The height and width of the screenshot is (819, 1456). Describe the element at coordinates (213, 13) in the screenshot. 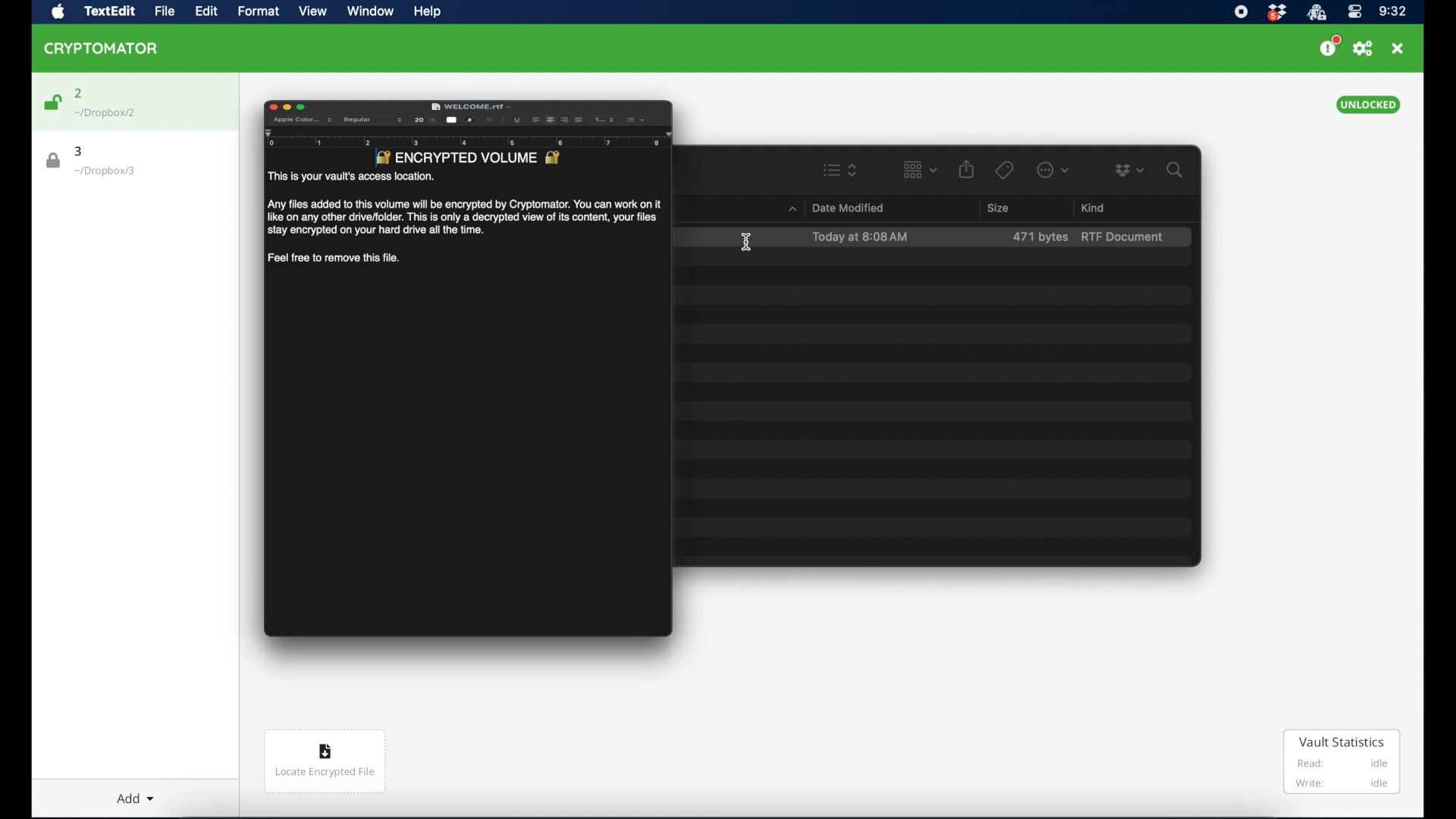

I see `Edit` at that location.